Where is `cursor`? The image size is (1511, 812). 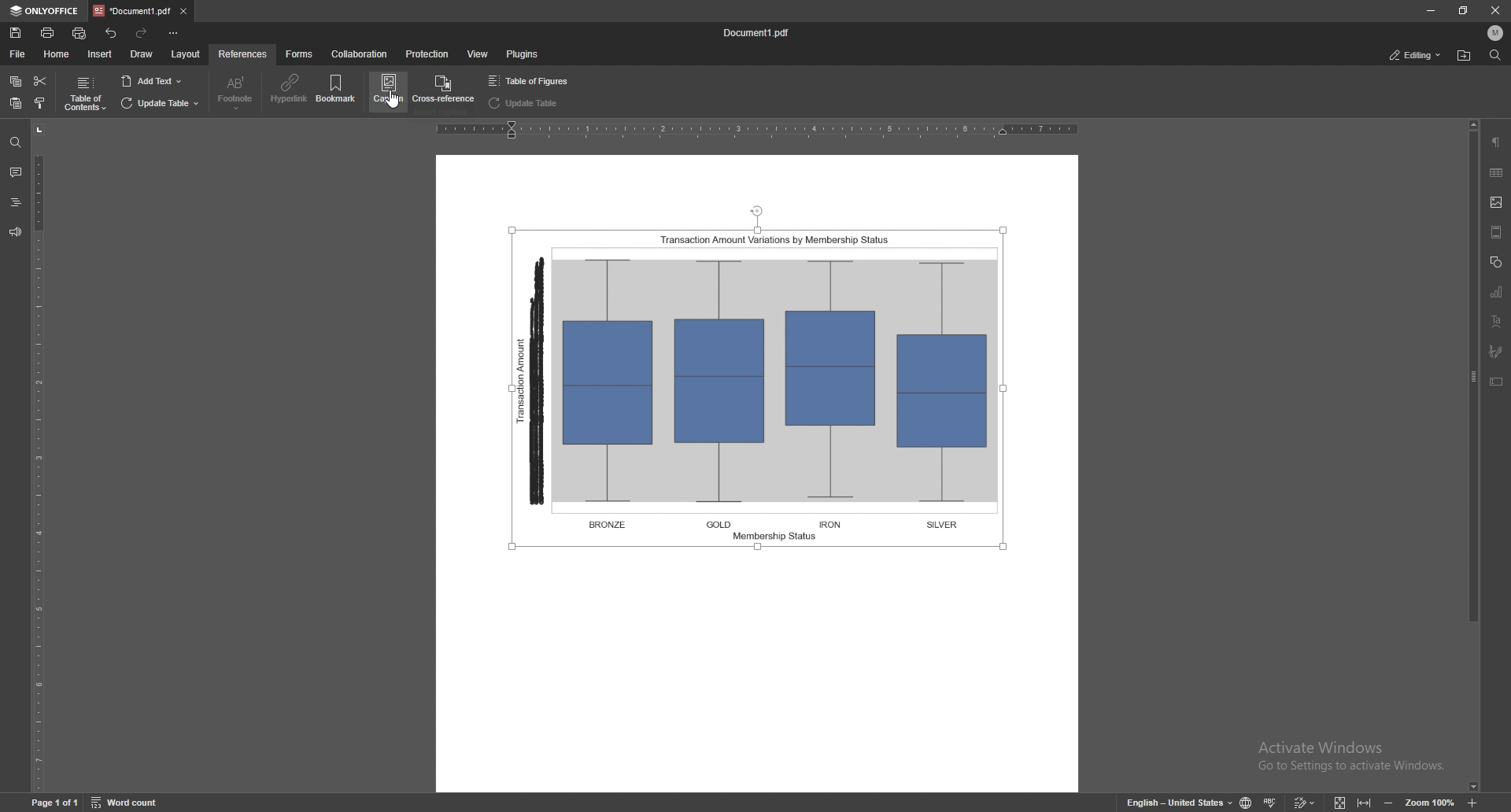 cursor is located at coordinates (395, 112).